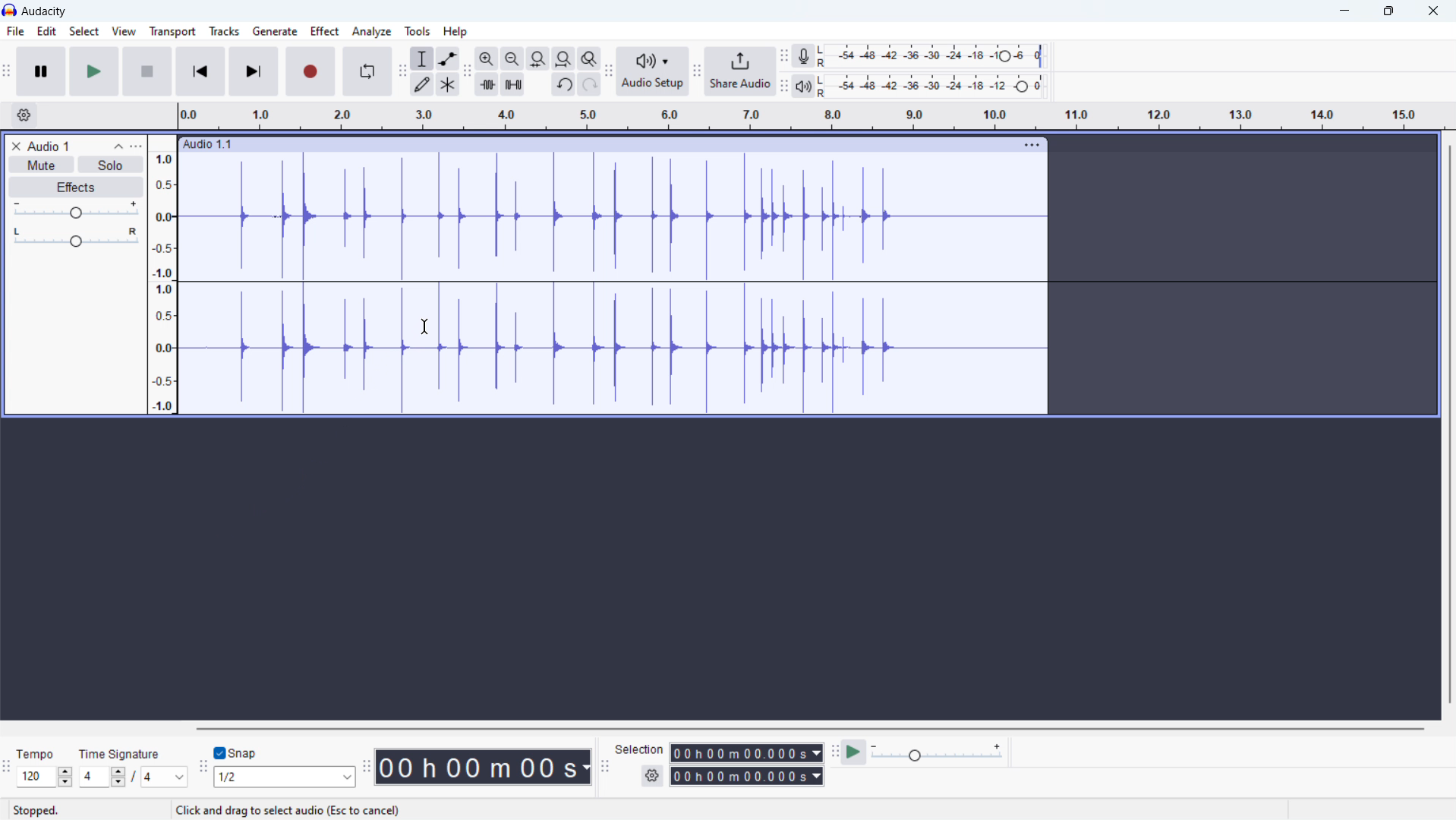  Describe the element at coordinates (1431, 11) in the screenshot. I see `close` at that location.